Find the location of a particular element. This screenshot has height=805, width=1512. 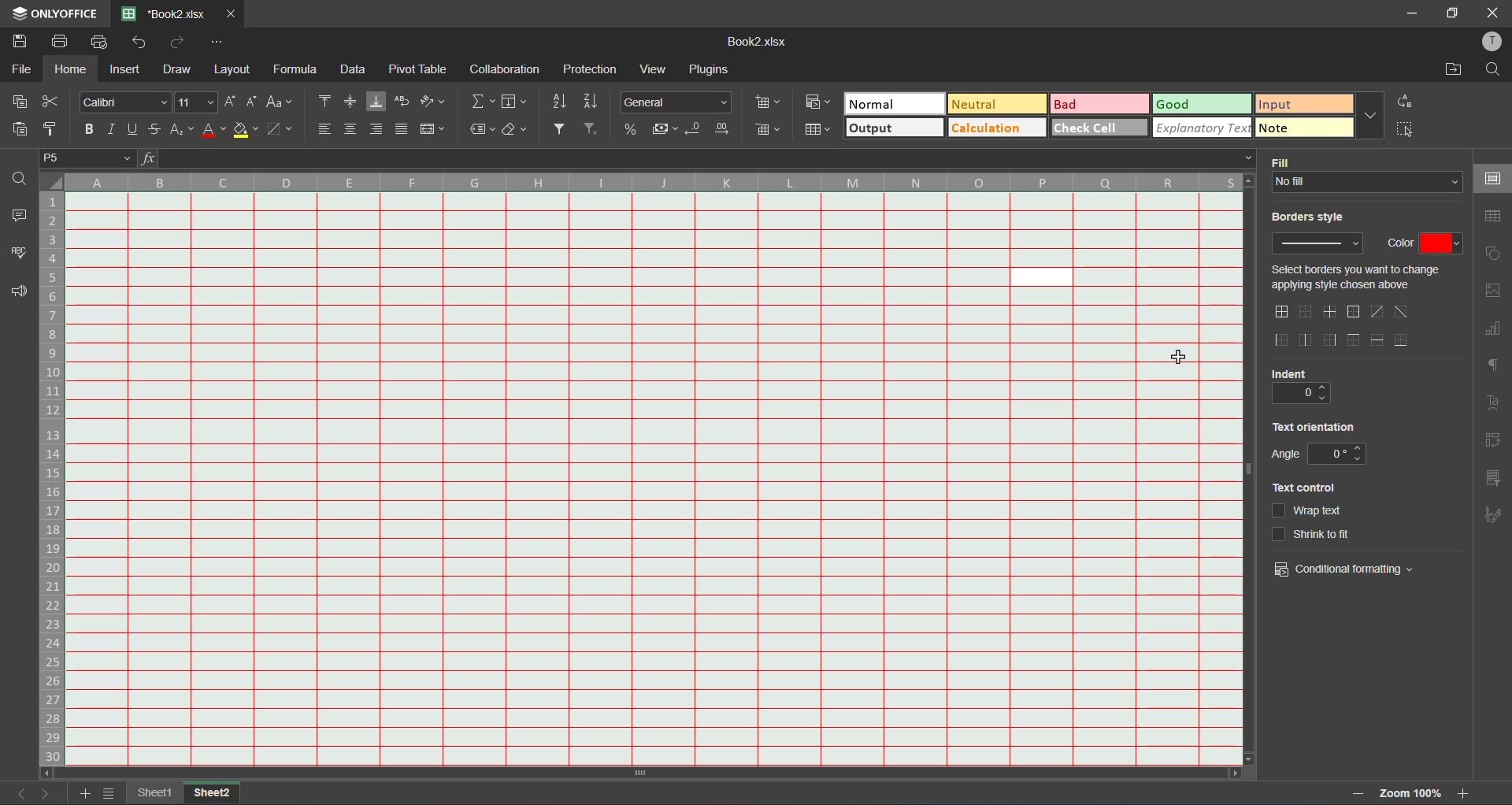

inner lines only is located at coordinates (1329, 312).